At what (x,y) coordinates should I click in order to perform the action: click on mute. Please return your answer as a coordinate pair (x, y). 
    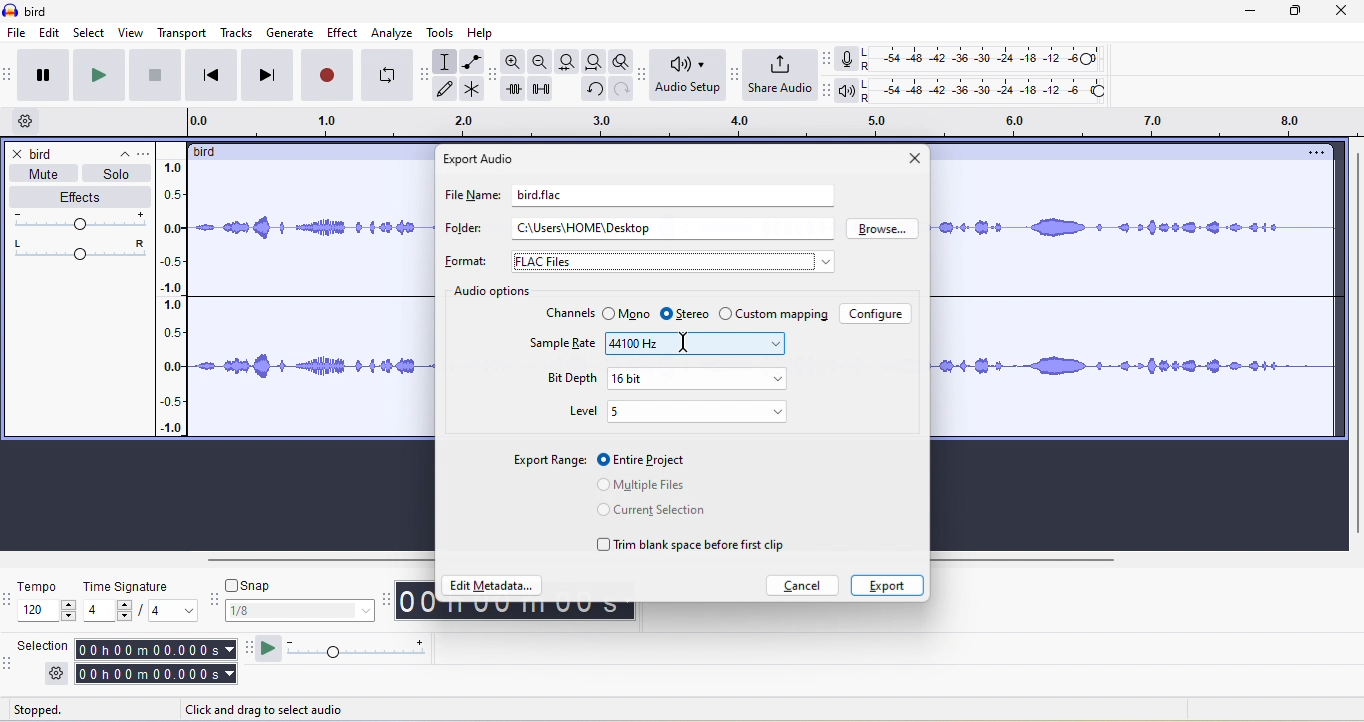
    Looking at the image, I should click on (39, 174).